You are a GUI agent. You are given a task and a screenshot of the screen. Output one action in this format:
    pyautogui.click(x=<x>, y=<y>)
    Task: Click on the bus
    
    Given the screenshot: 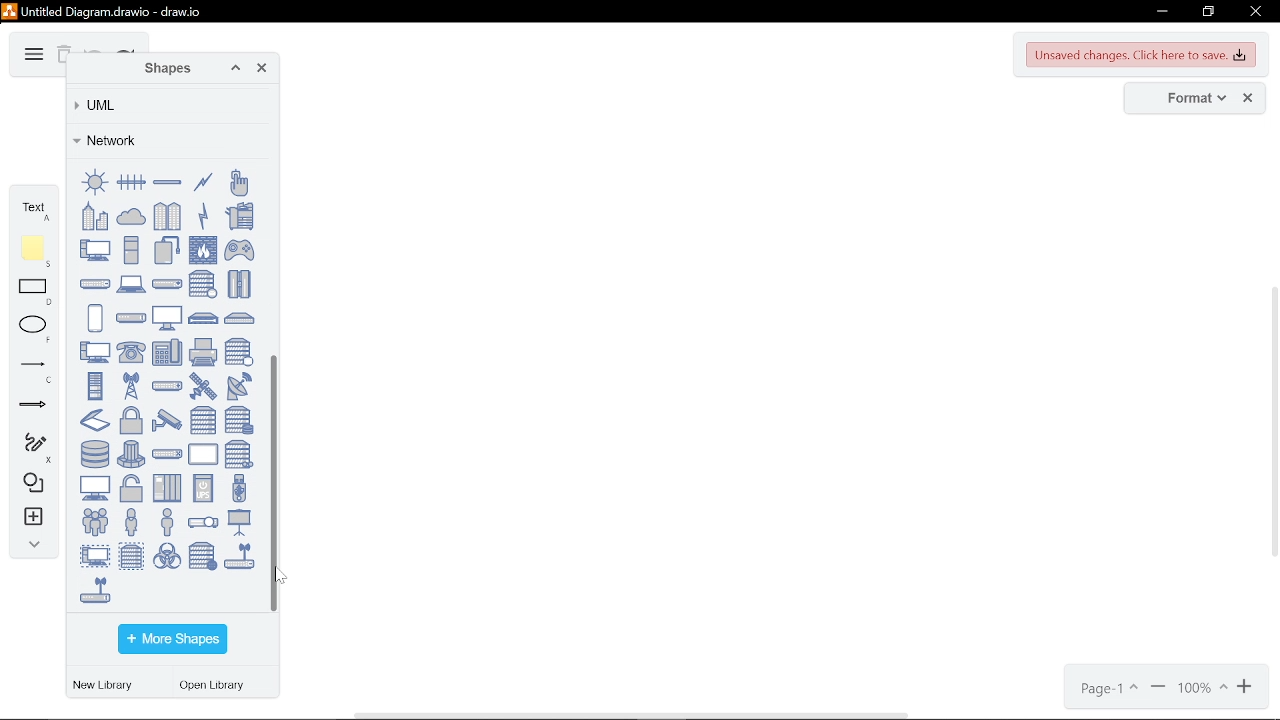 What is the action you would take?
    pyautogui.click(x=167, y=182)
    